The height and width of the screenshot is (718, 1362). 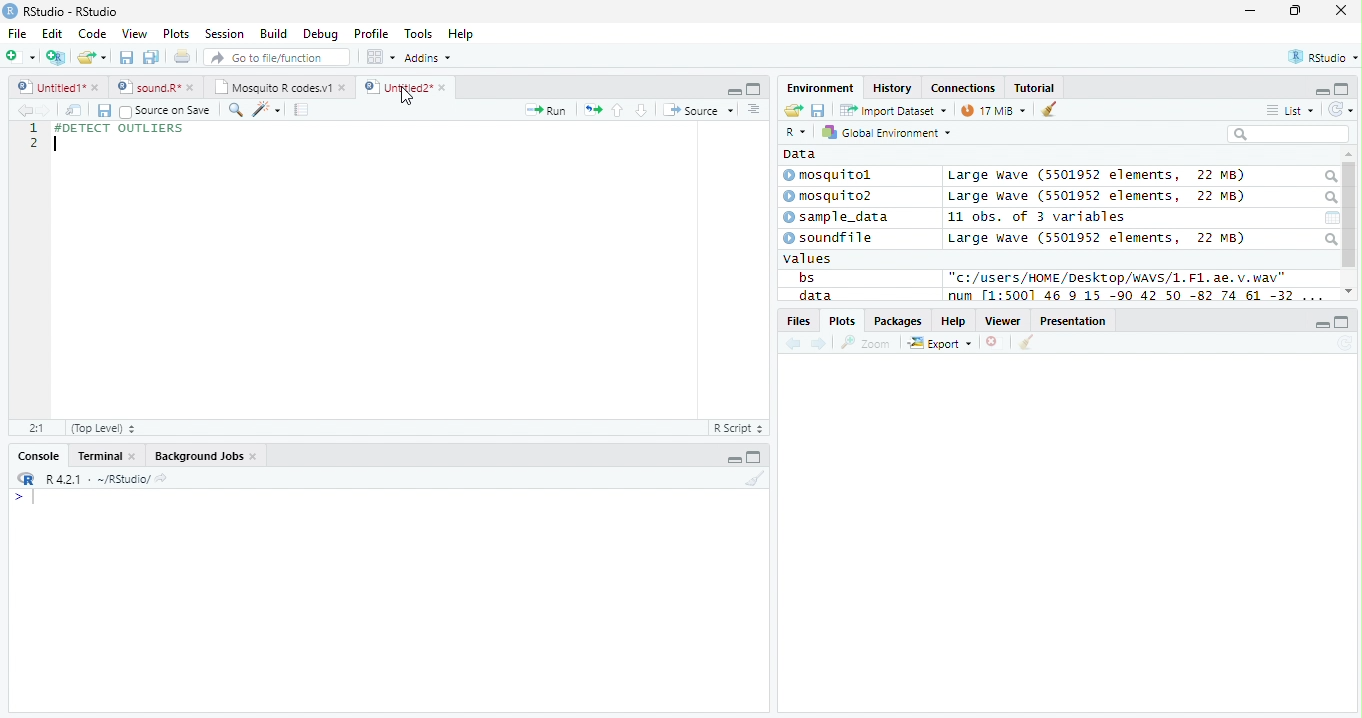 What do you see at coordinates (1252, 10) in the screenshot?
I see `minimize` at bounding box center [1252, 10].